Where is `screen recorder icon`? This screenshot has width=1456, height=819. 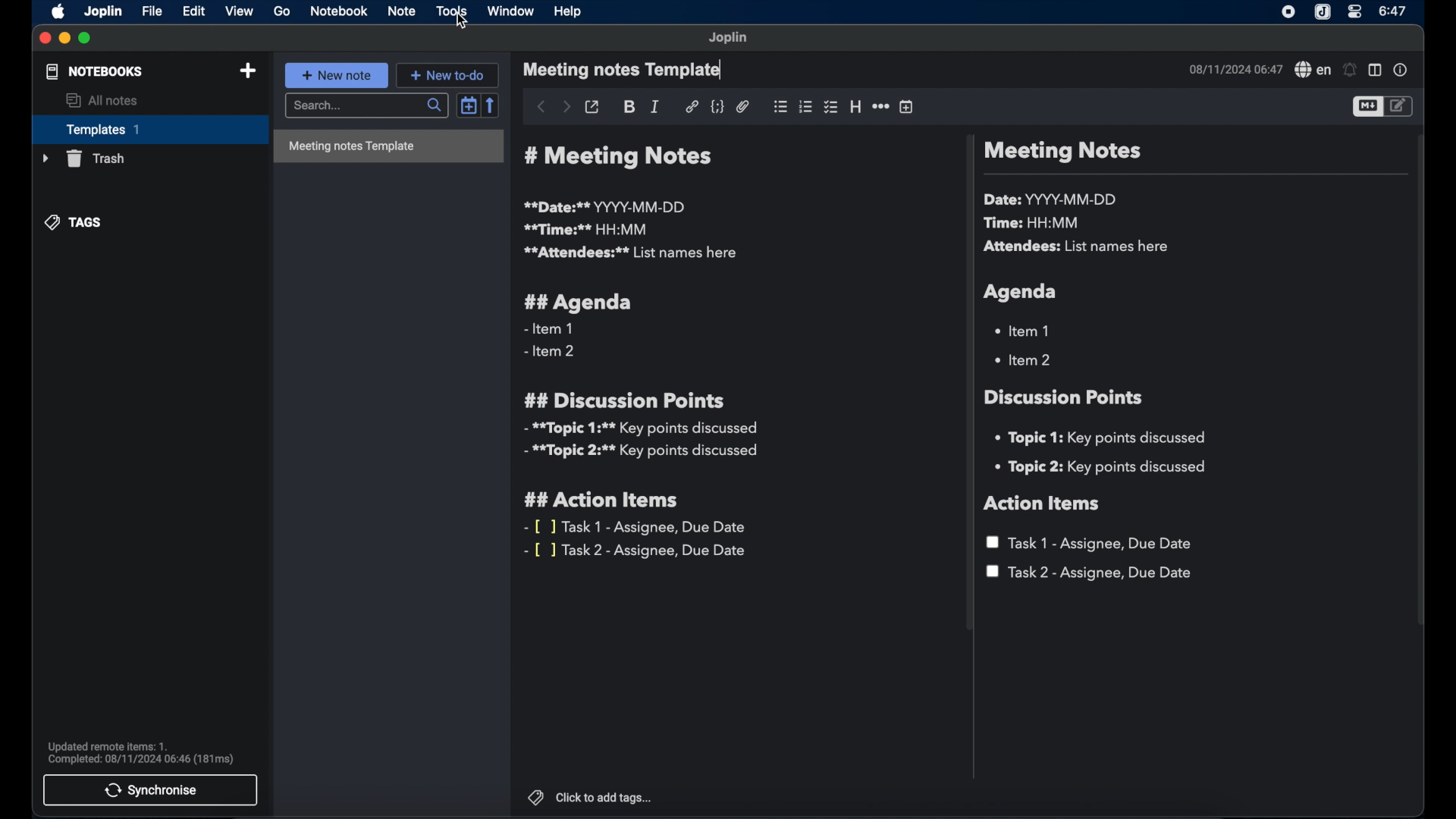
screen recorder icon is located at coordinates (1289, 12).